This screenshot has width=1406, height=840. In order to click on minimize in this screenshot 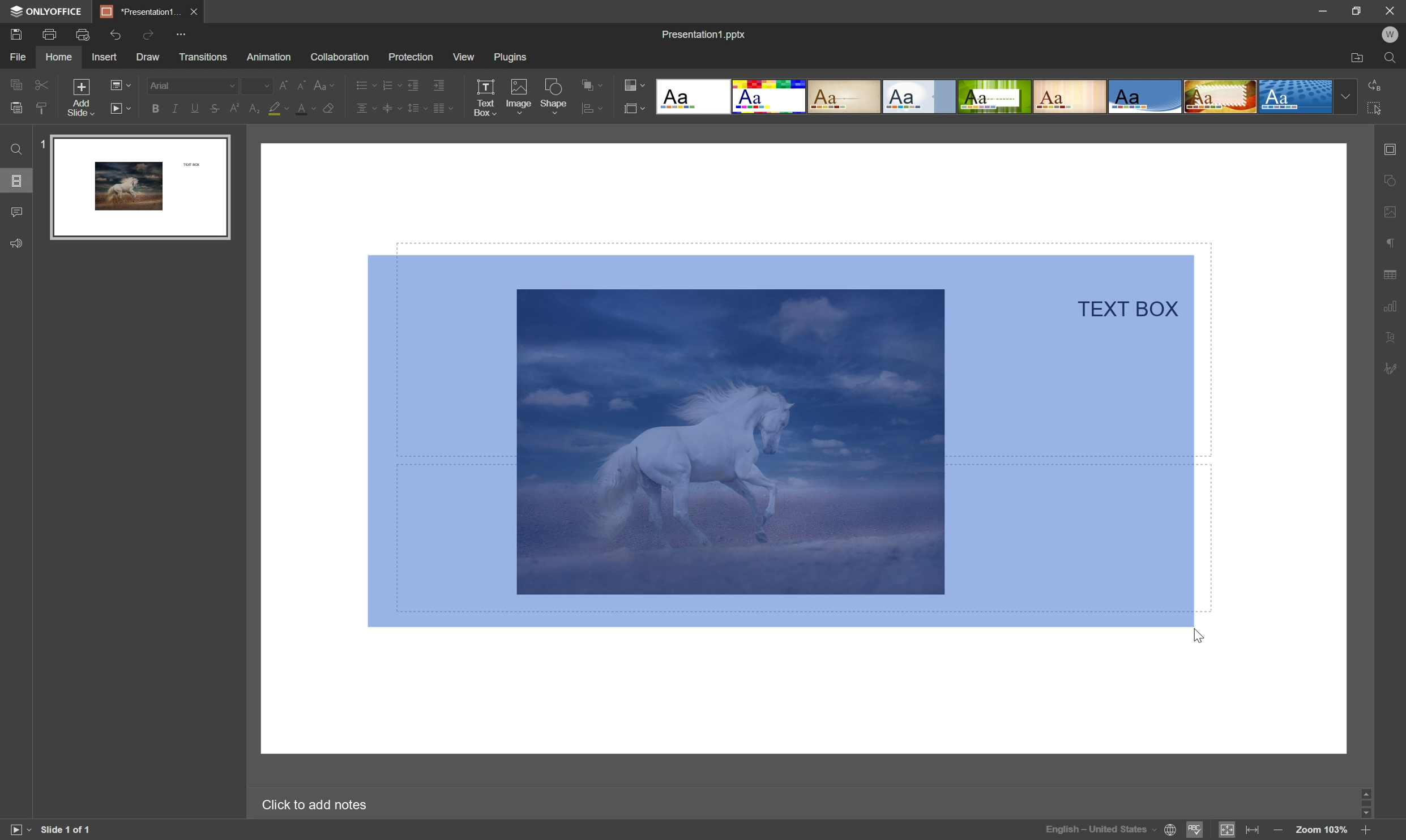, I will do `click(1321, 9)`.